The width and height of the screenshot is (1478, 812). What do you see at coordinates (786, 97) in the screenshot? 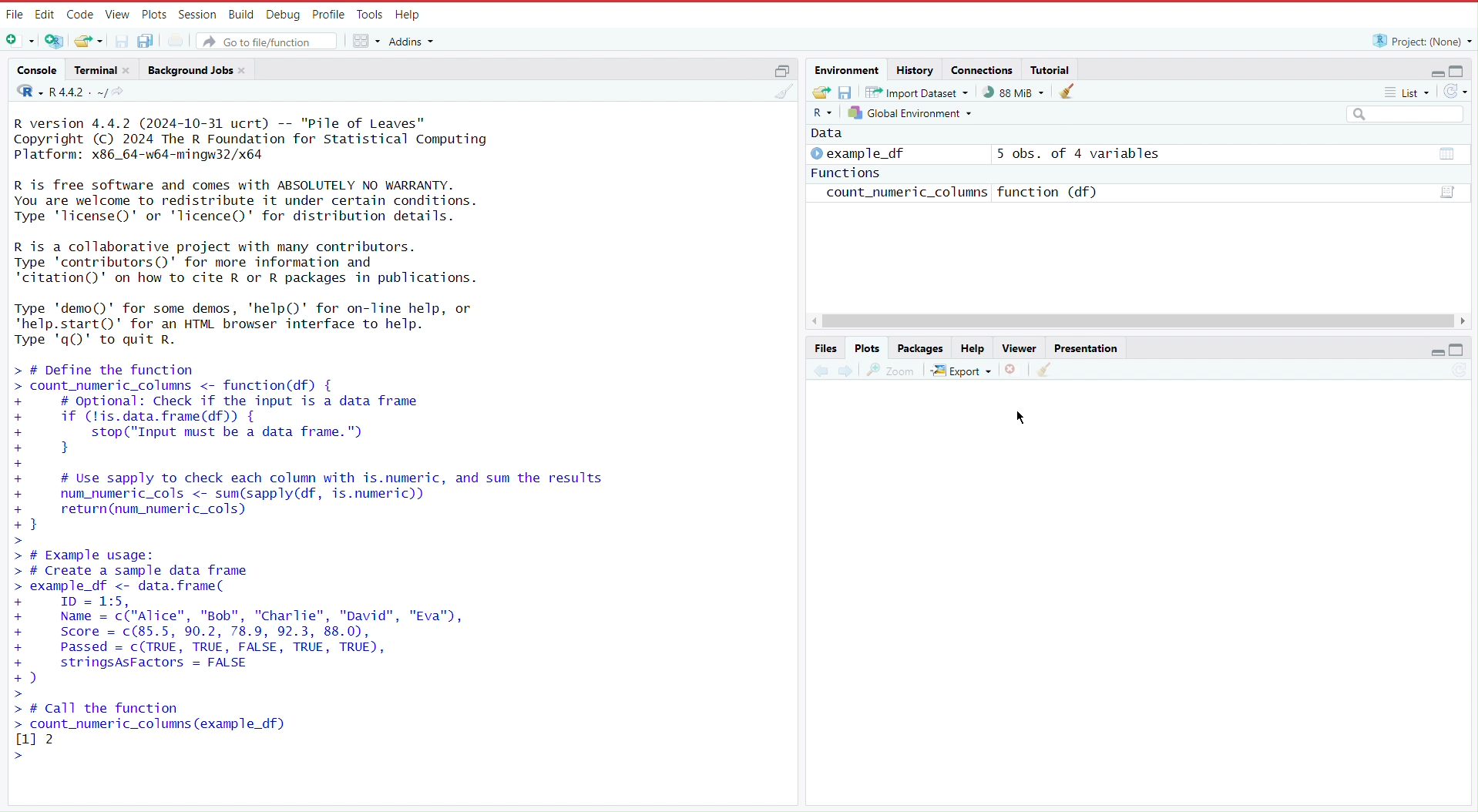
I see `Clear console (Ctrl +L)` at bounding box center [786, 97].